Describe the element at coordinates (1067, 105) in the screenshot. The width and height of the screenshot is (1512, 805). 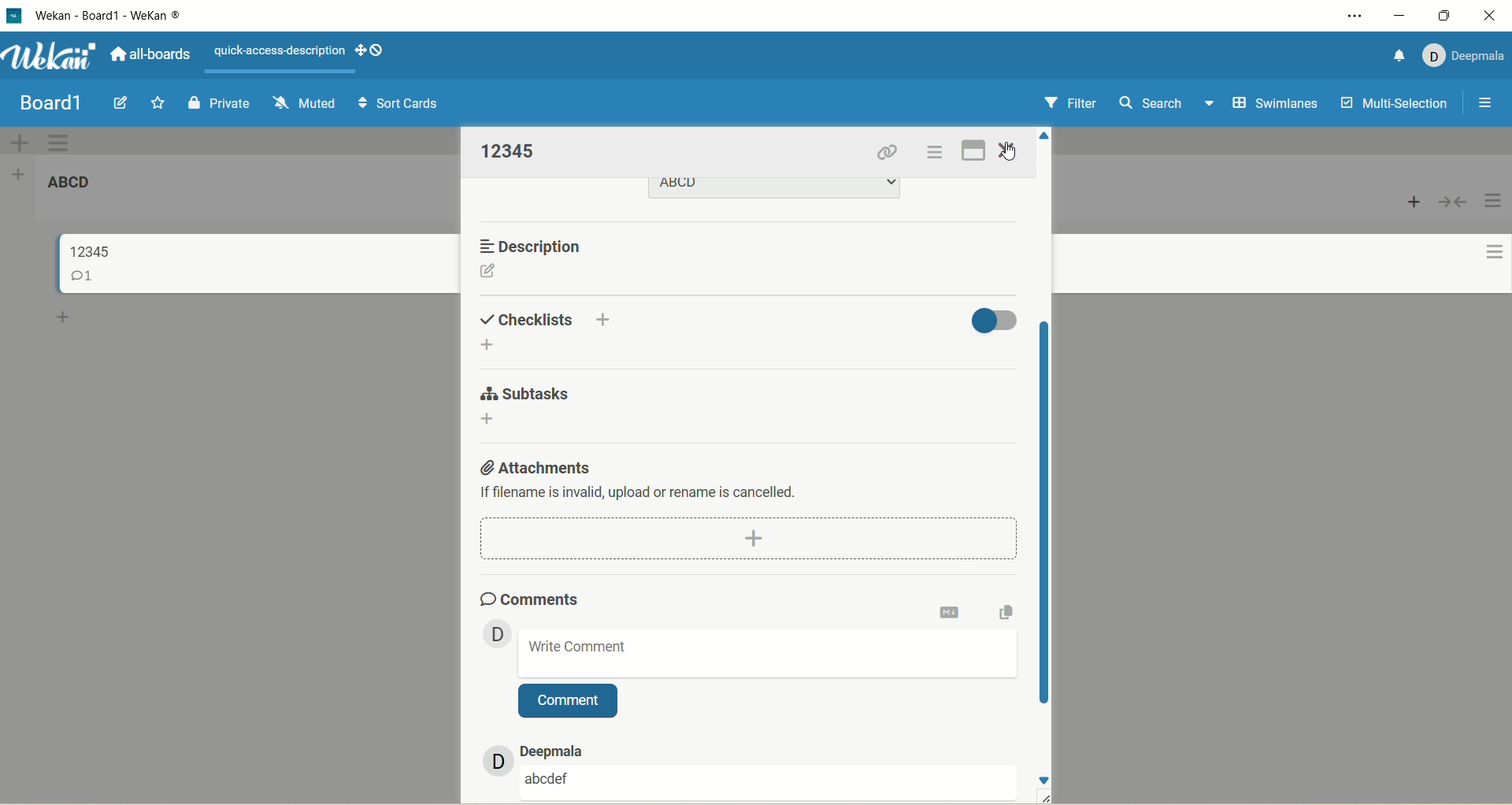
I see `filter` at that location.